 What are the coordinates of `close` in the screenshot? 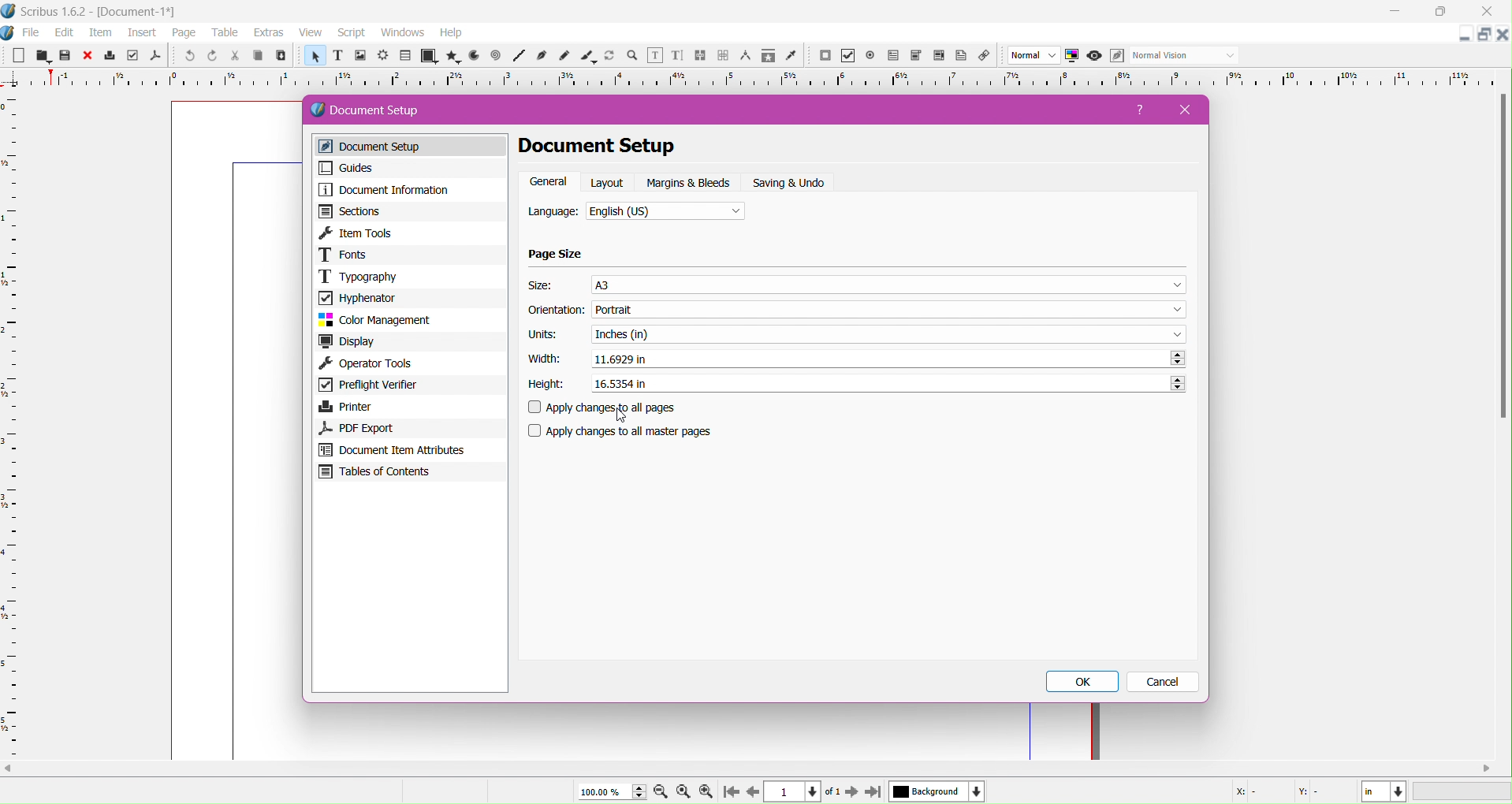 It's located at (88, 56).